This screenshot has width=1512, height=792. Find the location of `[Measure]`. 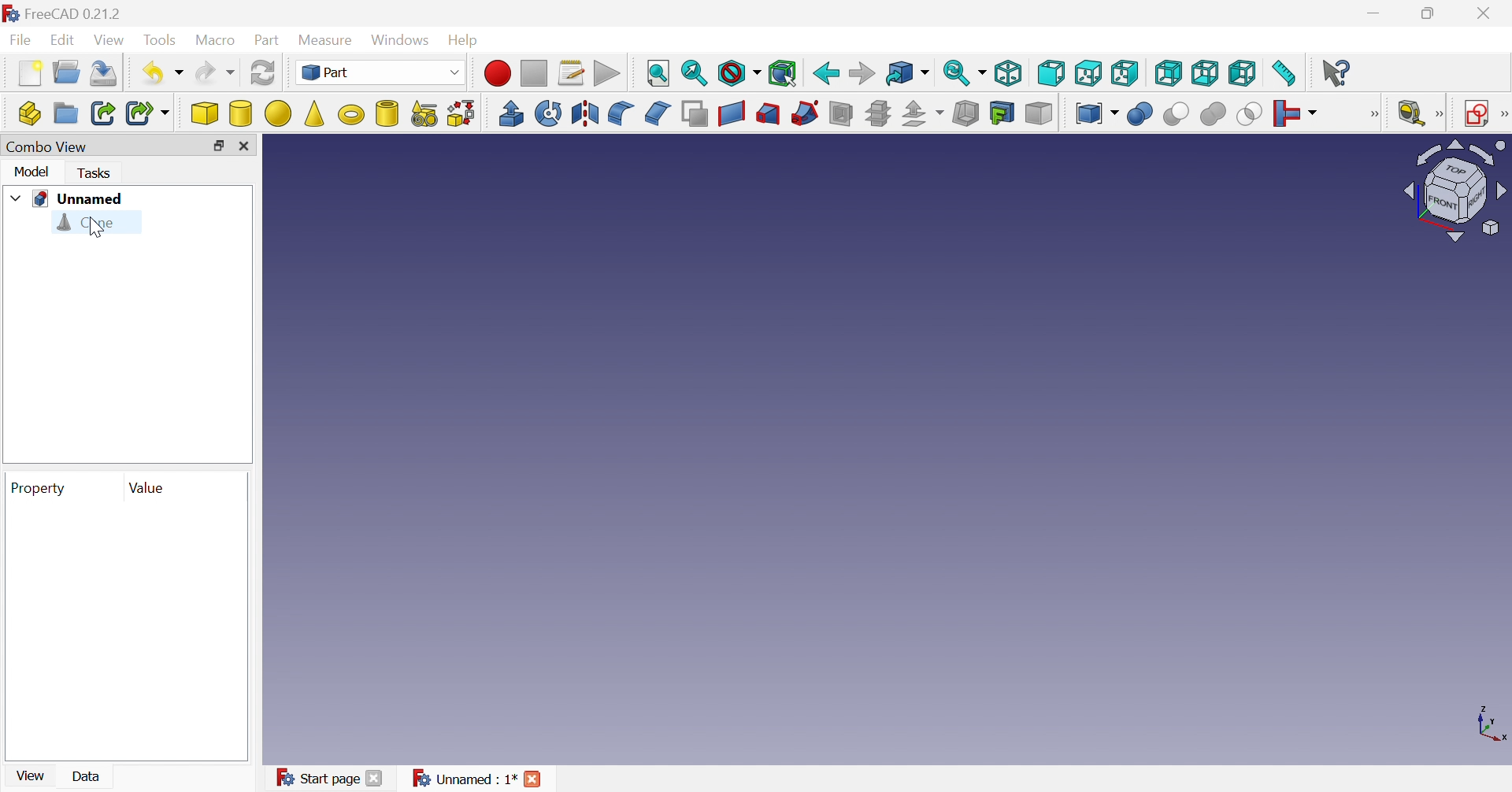

[Measure] is located at coordinates (1440, 114).